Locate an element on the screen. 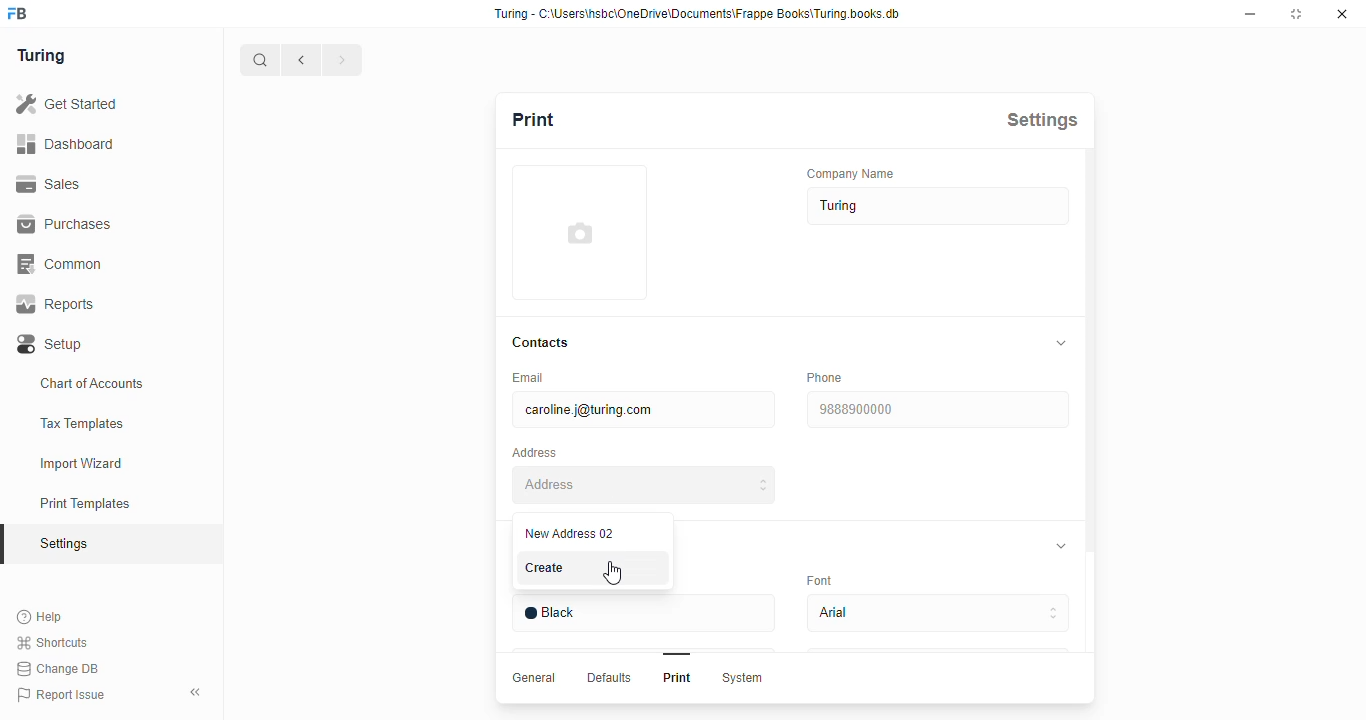 This screenshot has width=1366, height=720. System is located at coordinates (744, 679).